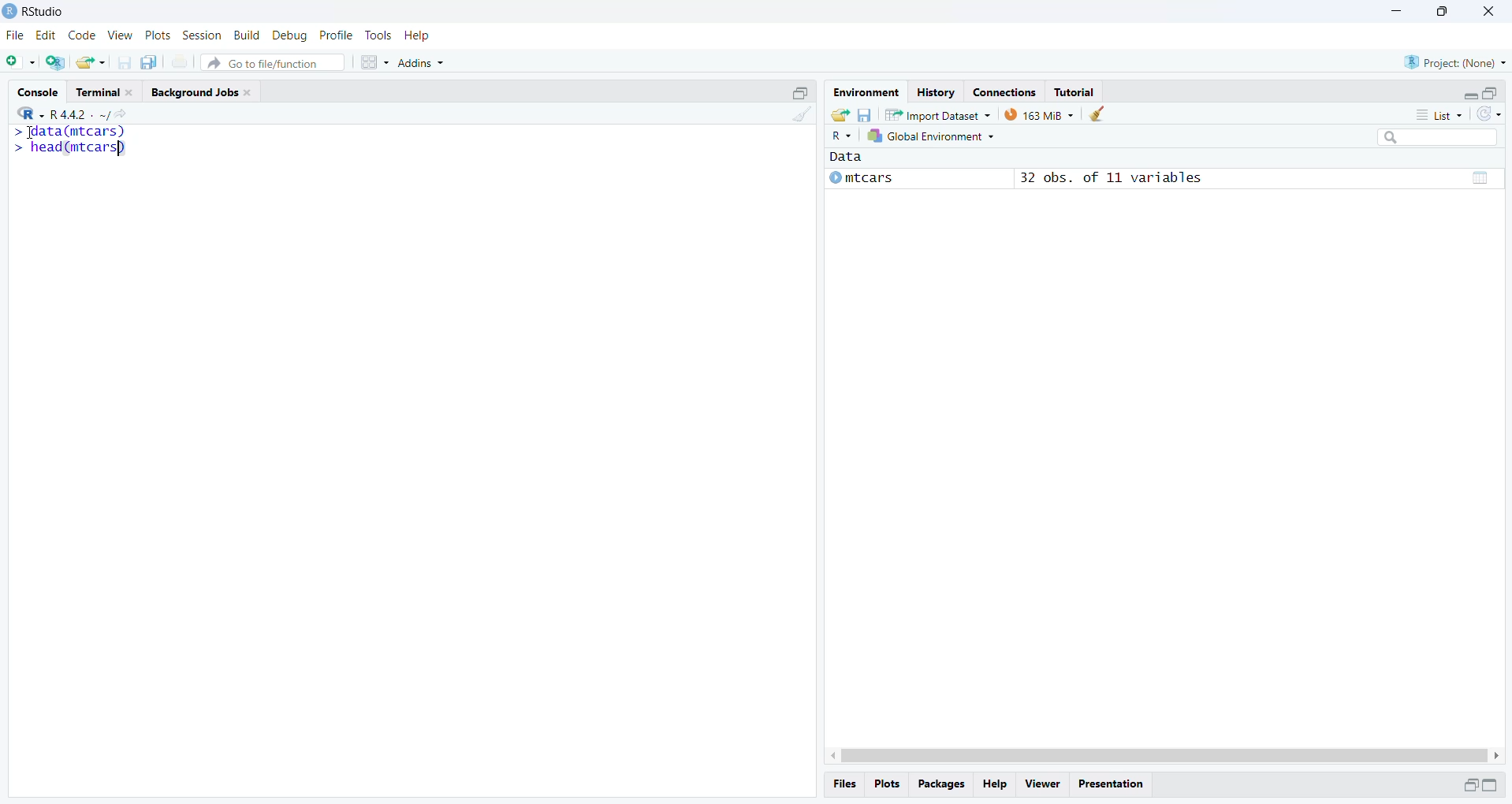 The image size is (1512, 804). I want to click on close, so click(1490, 9).